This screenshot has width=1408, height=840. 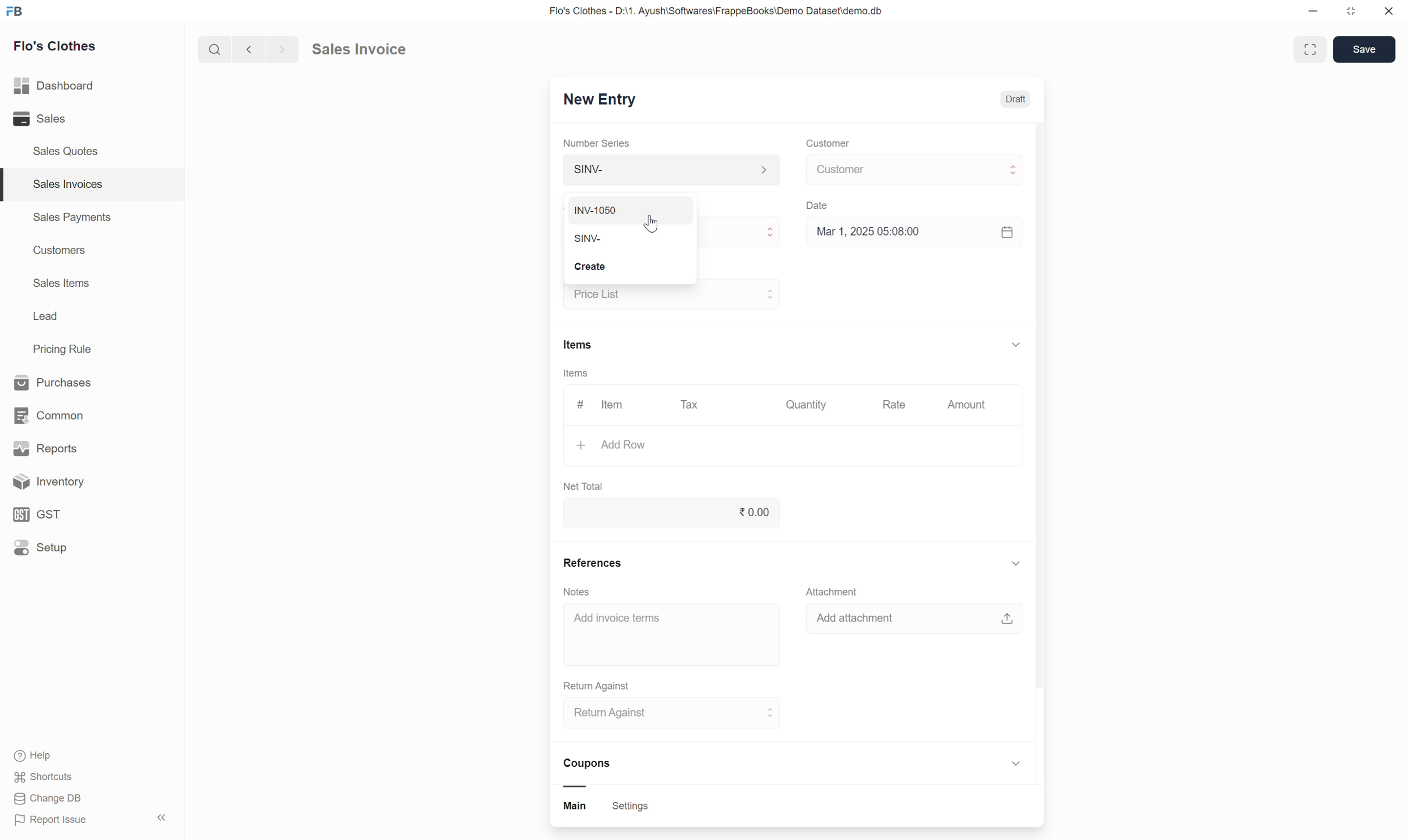 I want to click on Notes, so click(x=577, y=591).